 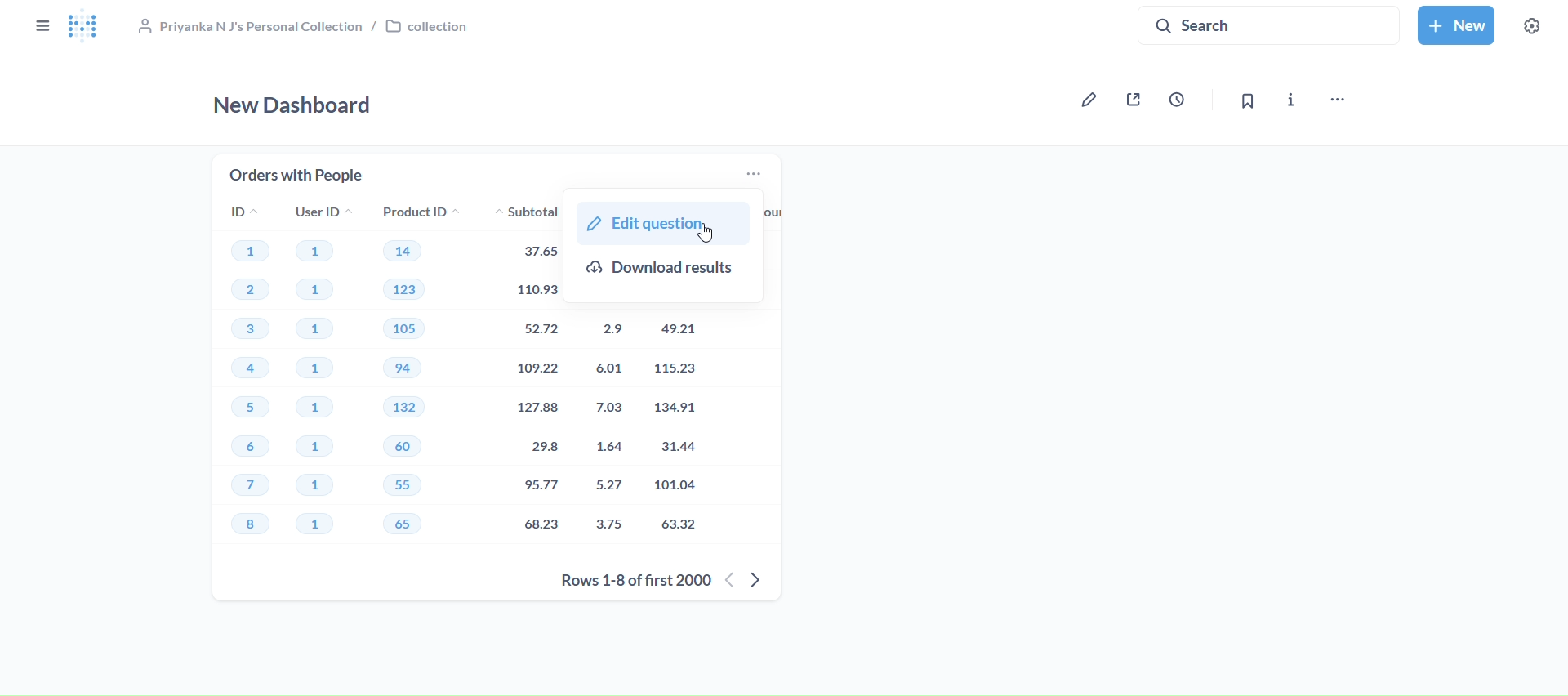 What do you see at coordinates (1137, 100) in the screenshot?
I see `share` at bounding box center [1137, 100].